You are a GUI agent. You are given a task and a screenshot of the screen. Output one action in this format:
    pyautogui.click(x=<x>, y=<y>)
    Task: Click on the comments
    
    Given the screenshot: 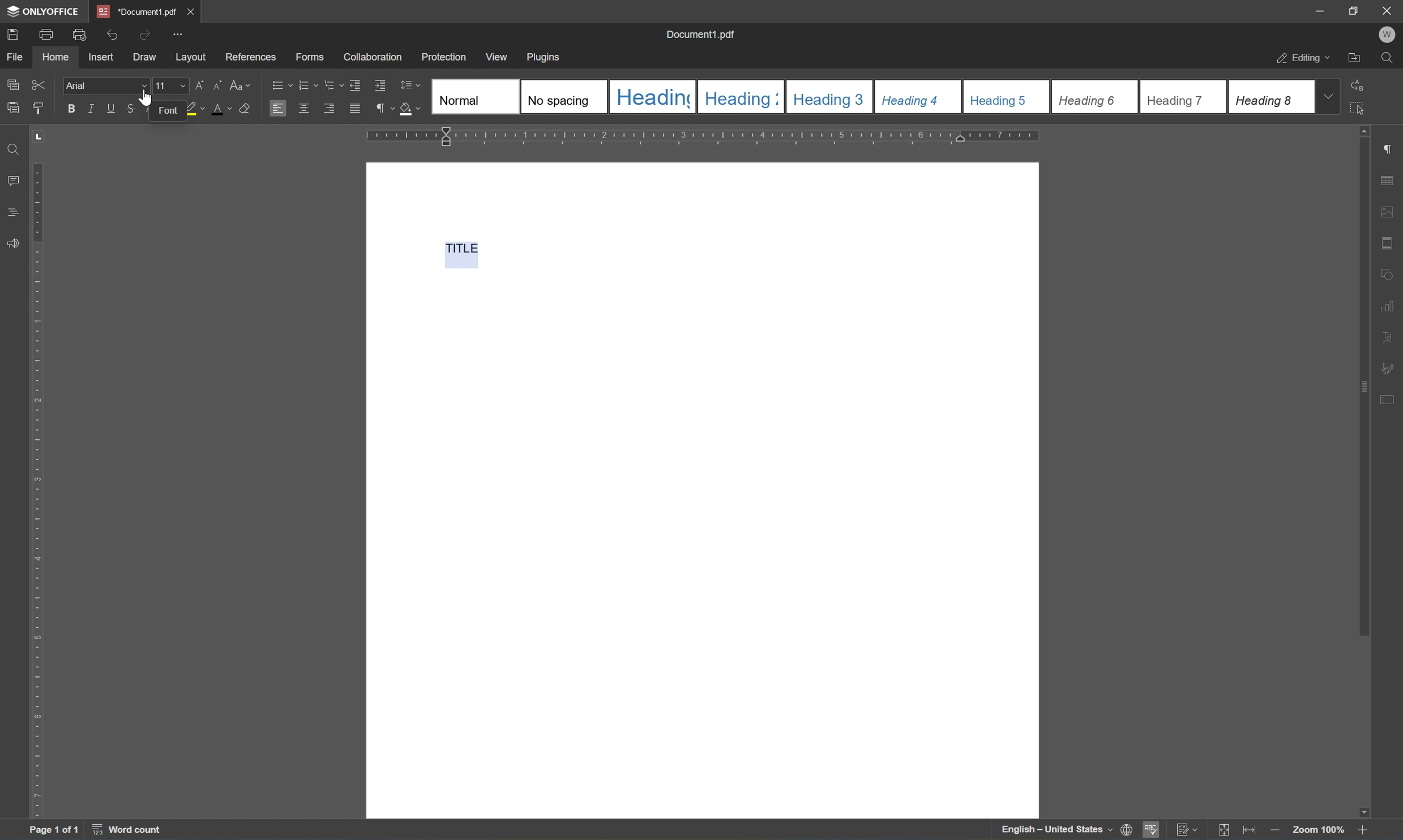 What is the action you would take?
    pyautogui.click(x=12, y=212)
    